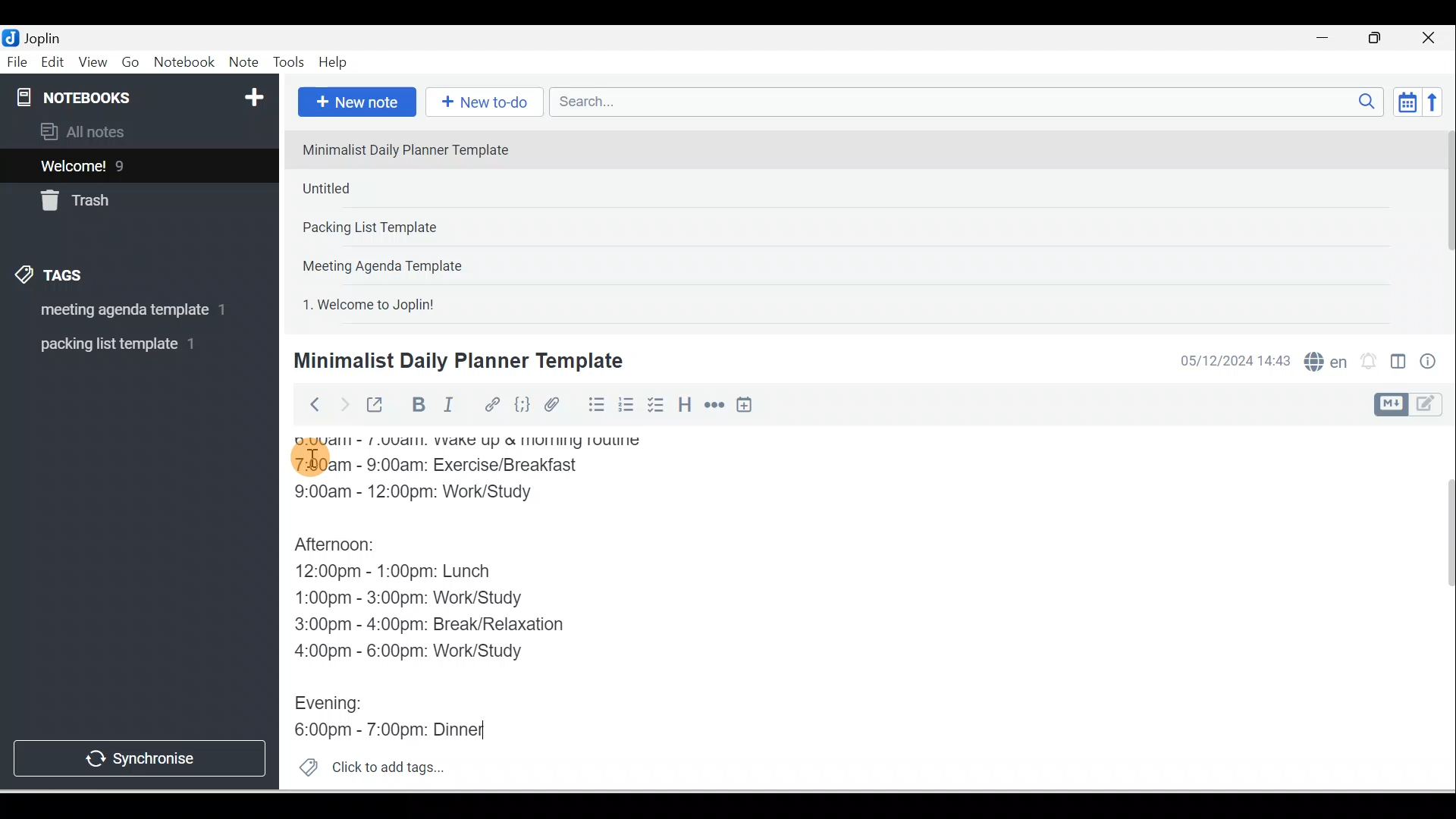  Describe the element at coordinates (626, 404) in the screenshot. I see `Numbered list` at that location.